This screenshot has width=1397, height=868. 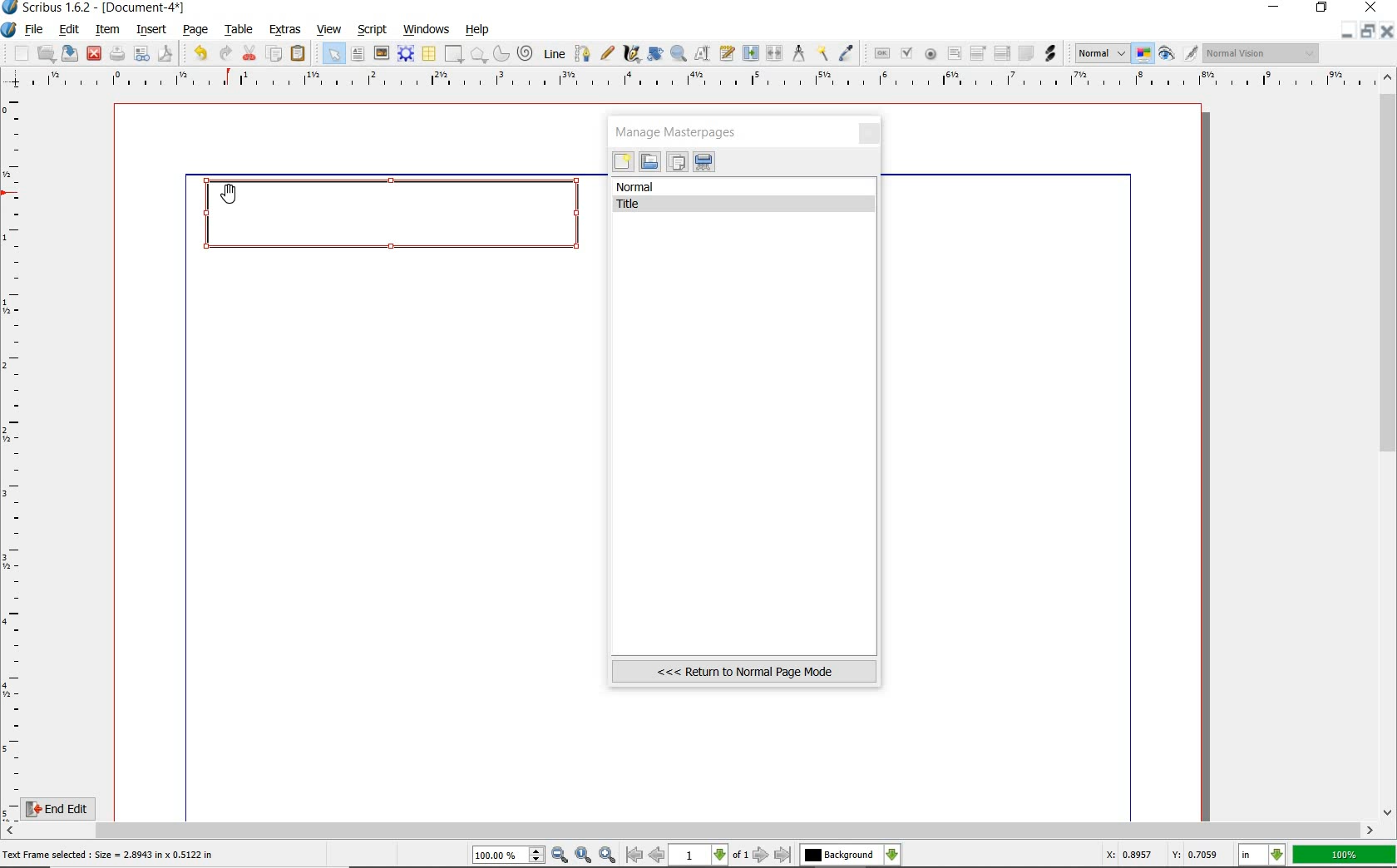 I want to click on line, so click(x=553, y=53).